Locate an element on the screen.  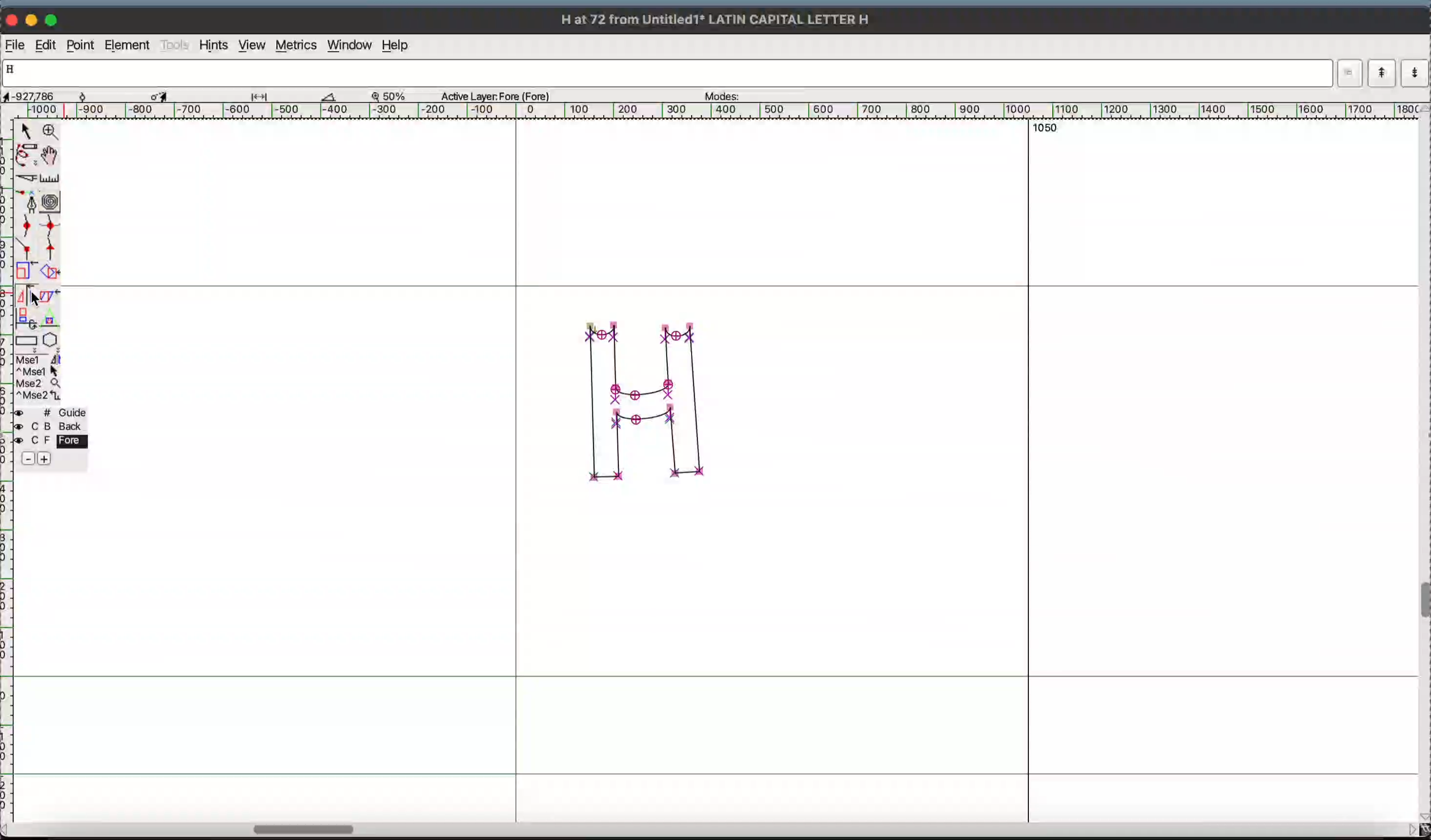
metrics is located at coordinates (295, 44).